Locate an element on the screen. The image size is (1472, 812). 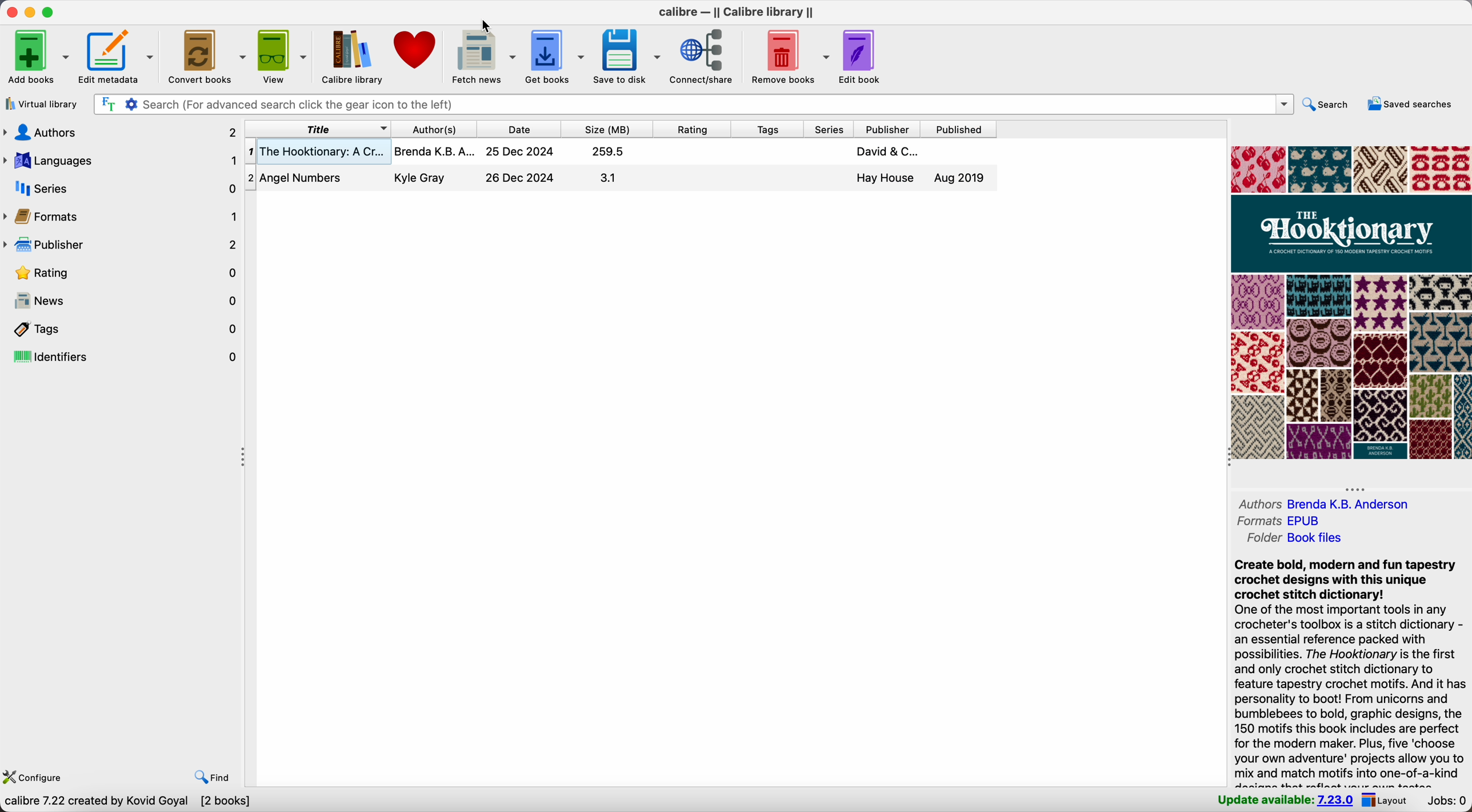
second book is located at coordinates (620, 180).